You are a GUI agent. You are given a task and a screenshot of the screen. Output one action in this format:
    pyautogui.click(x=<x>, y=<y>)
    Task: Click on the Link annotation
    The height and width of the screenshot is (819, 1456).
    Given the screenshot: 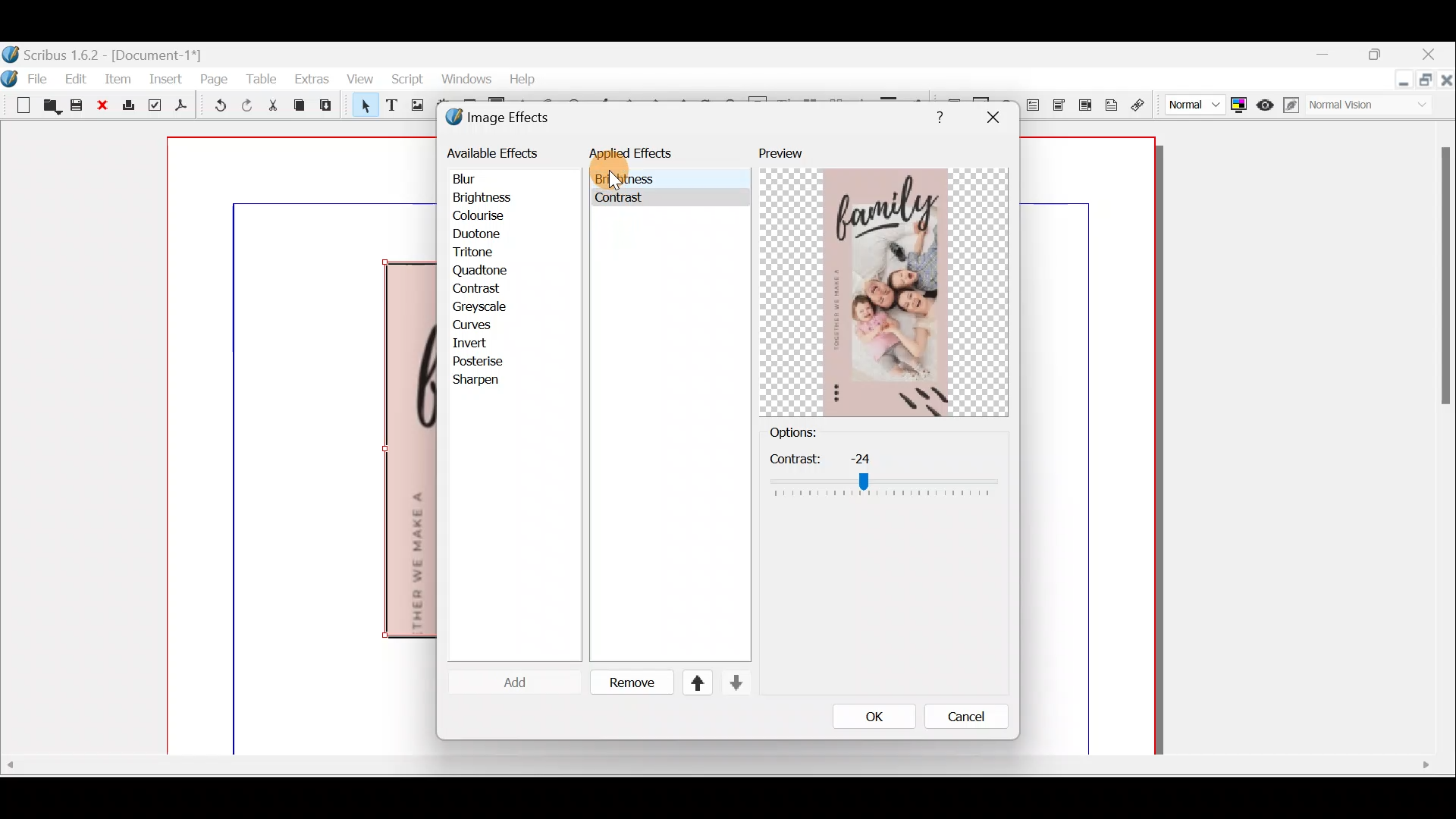 What is the action you would take?
    pyautogui.click(x=1140, y=105)
    